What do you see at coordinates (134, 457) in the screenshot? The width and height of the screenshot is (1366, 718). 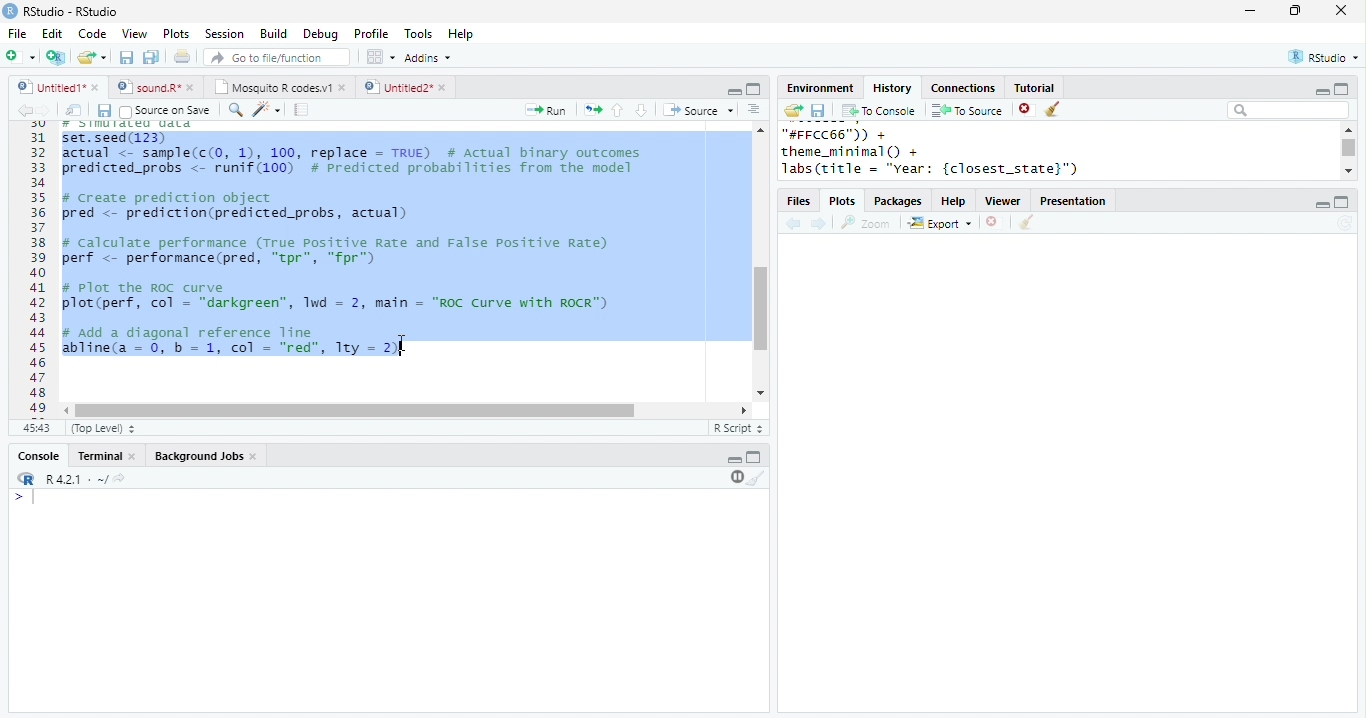 I see `close` at bounding box center [134, 457].